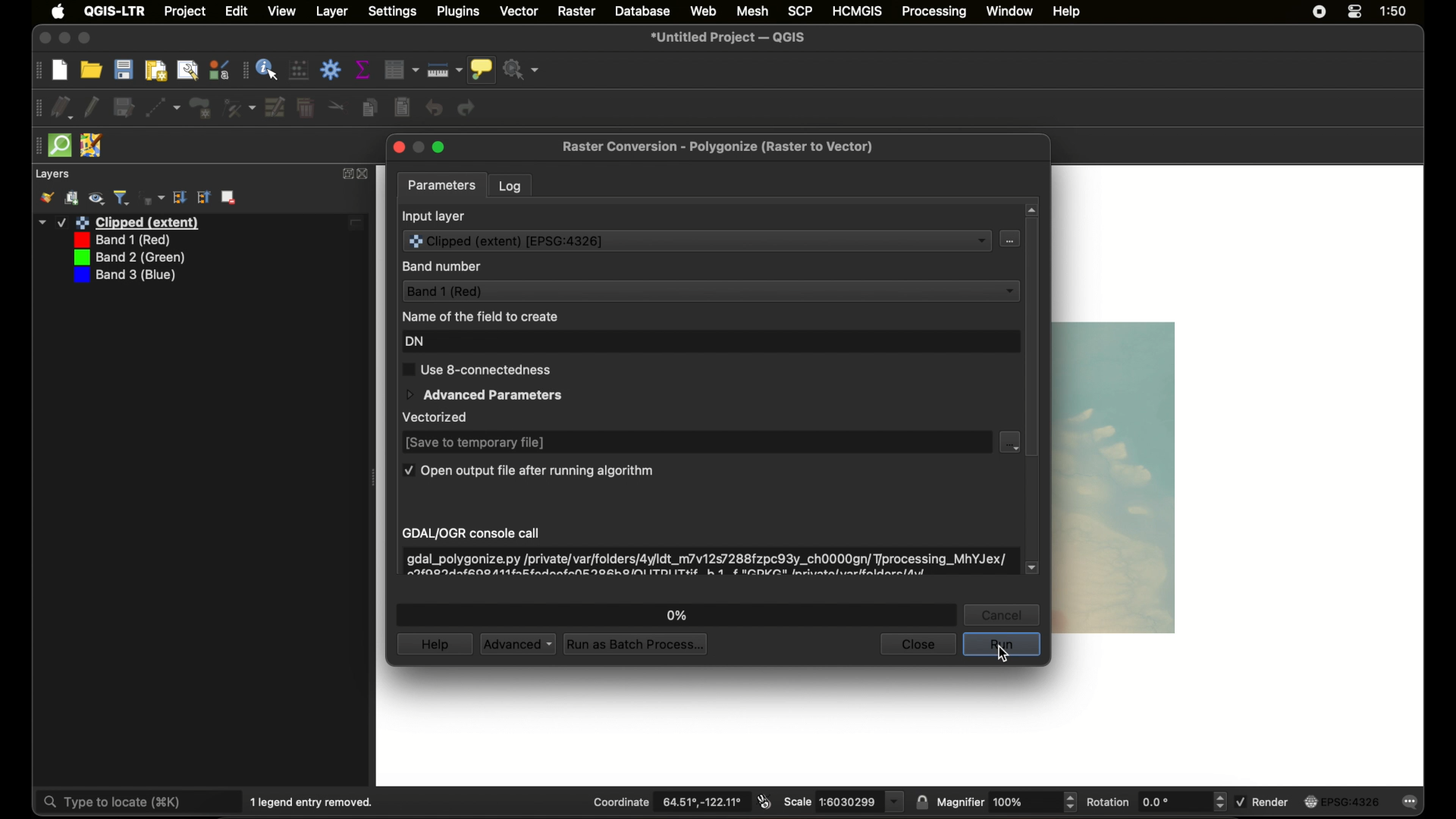  Describe the element at coordinates (1319, 12) in the screenshot. I see `screen recorder icon` at that location.